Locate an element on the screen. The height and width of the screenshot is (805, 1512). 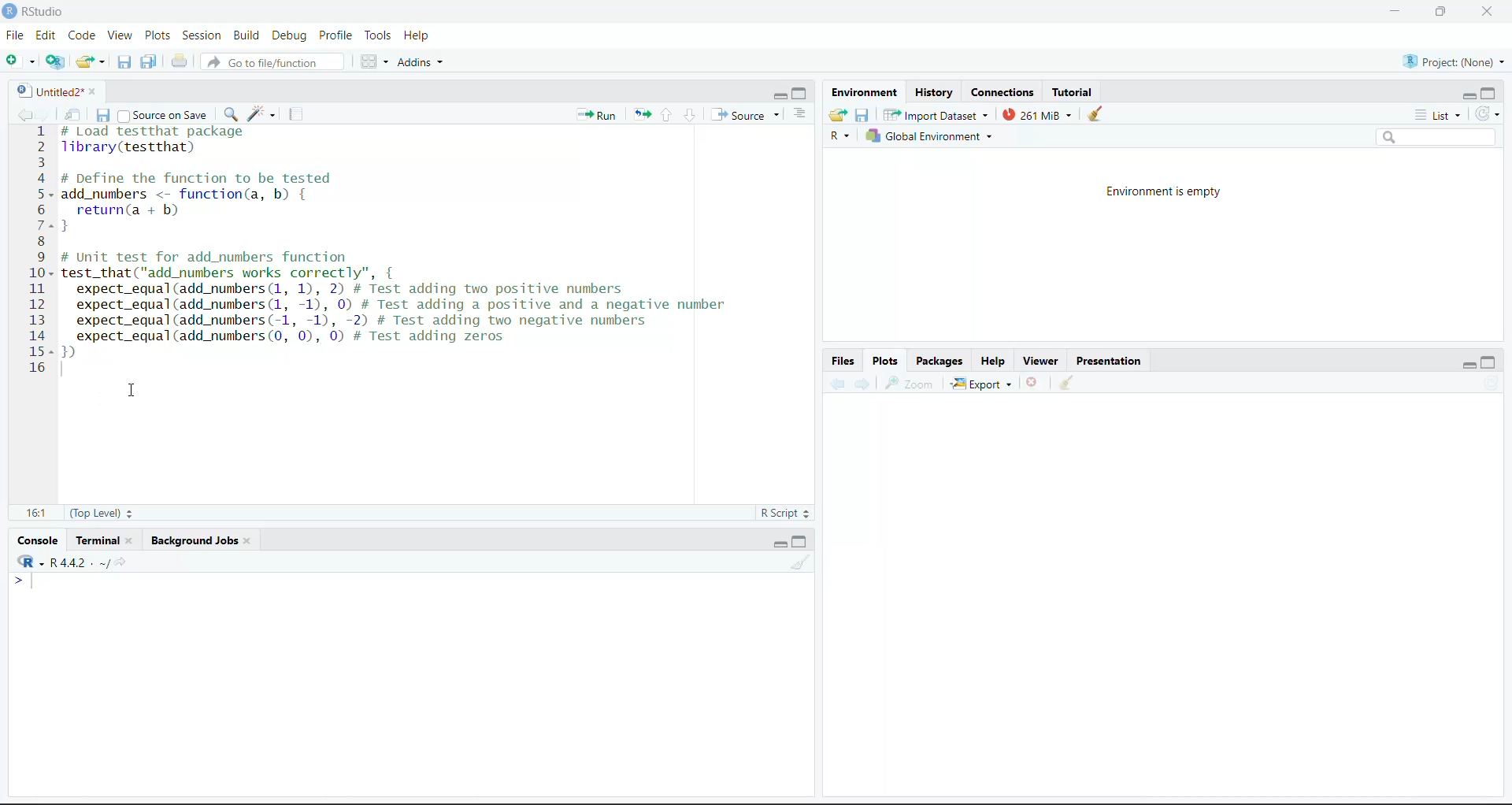
# Unit test for add_numbers functiontest_that("add_numbers works correctly", {expect_equal(add_numbers (1, 1), 2) # Test adding two positive numbersexpect_equal(add_numbers (1, -1), 0) # Test adding a positive and a negative numberexpect_equal(add_numbers(-1, -1), -2) # Test adding two negative numbersexpect_equal(add_numbers (0, 0), 0) # Test adding zeros) is located at coordinates (398, 305).